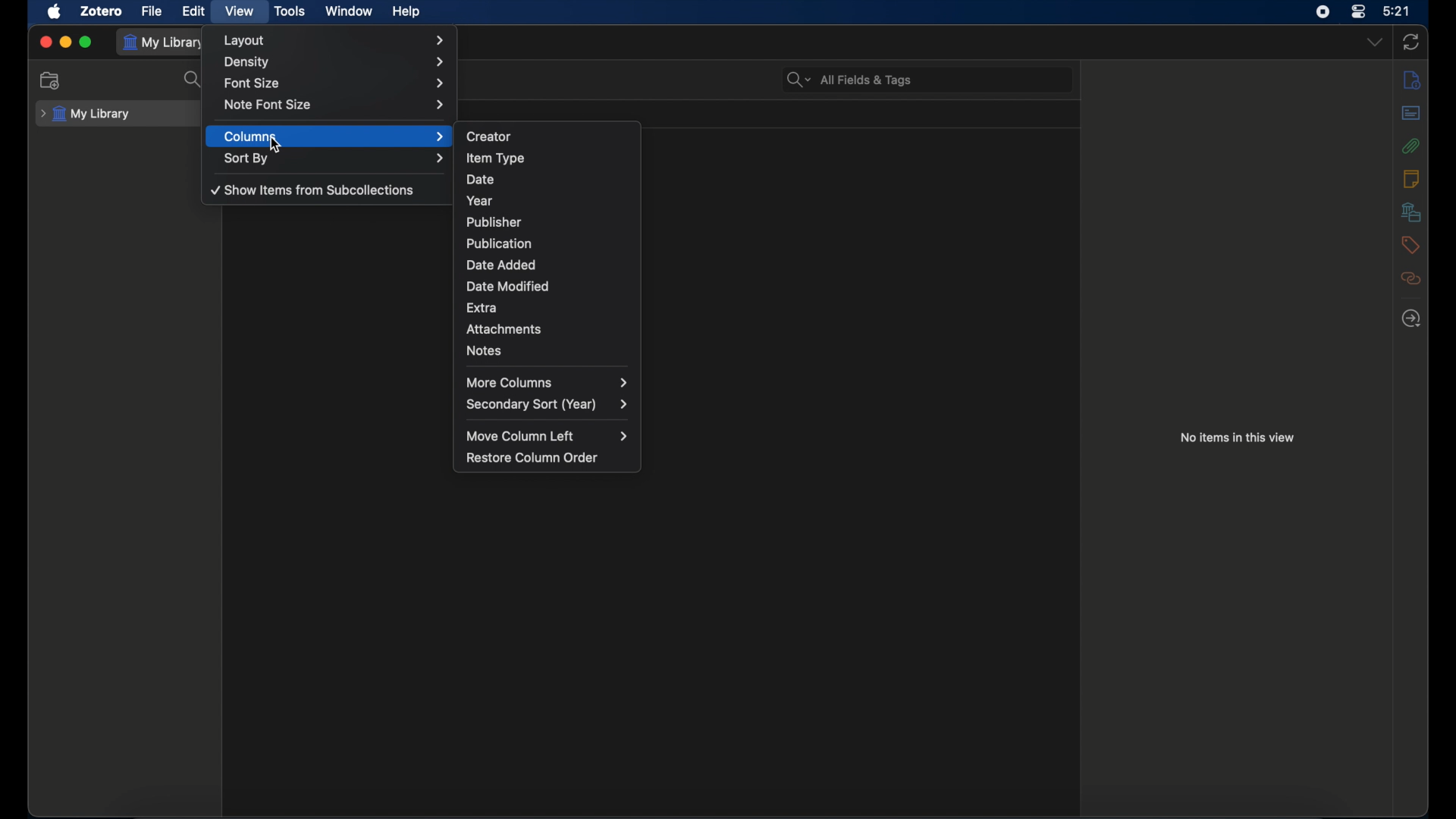 The width and height of the screenshot is (1456, 819). What do you see at coordinates (86, 42) in the screenshot?
I see `maximize` at bounding box center [86, 42].